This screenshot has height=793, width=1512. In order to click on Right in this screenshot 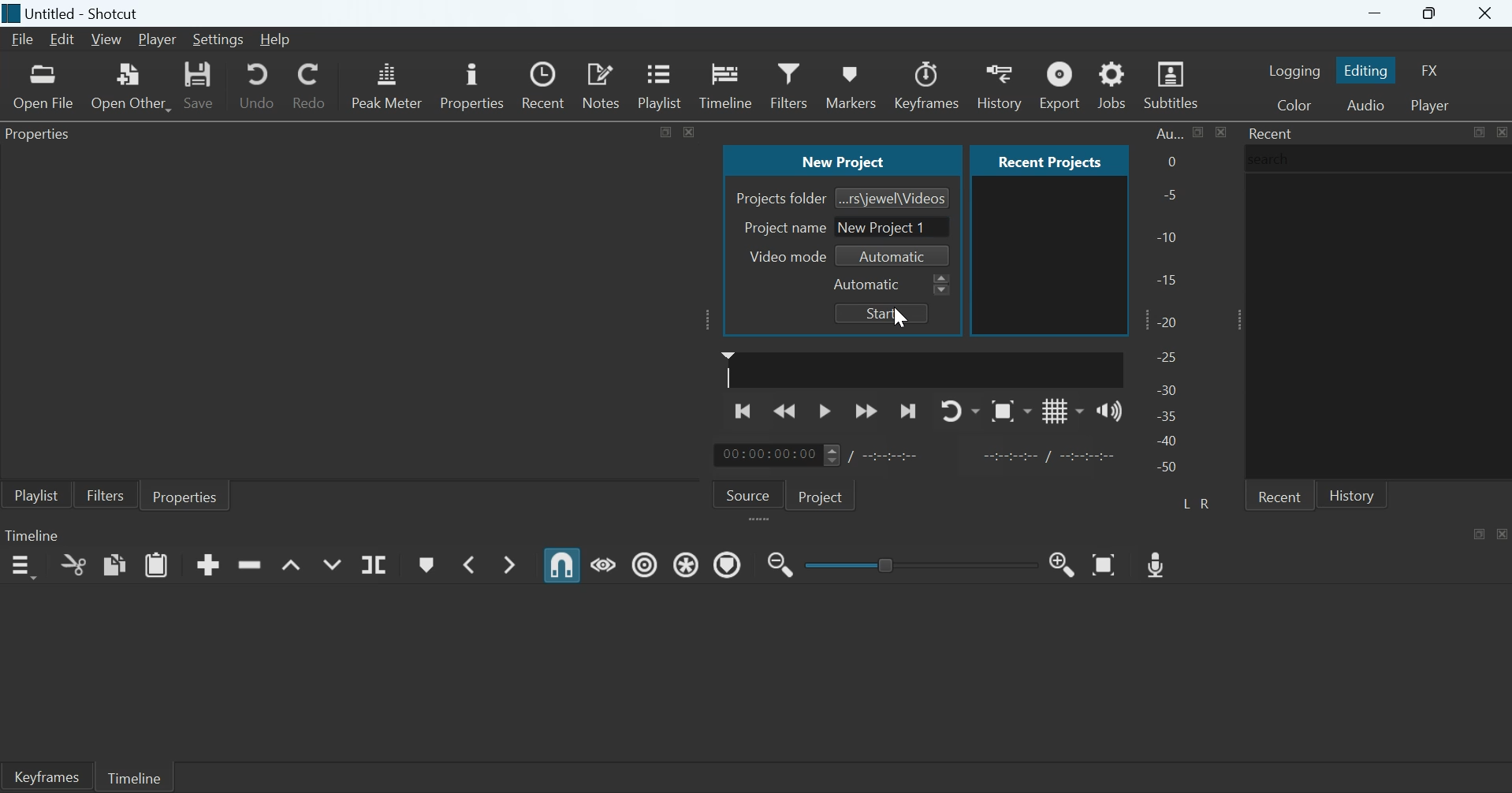, I will do `click(1208, 503)`.